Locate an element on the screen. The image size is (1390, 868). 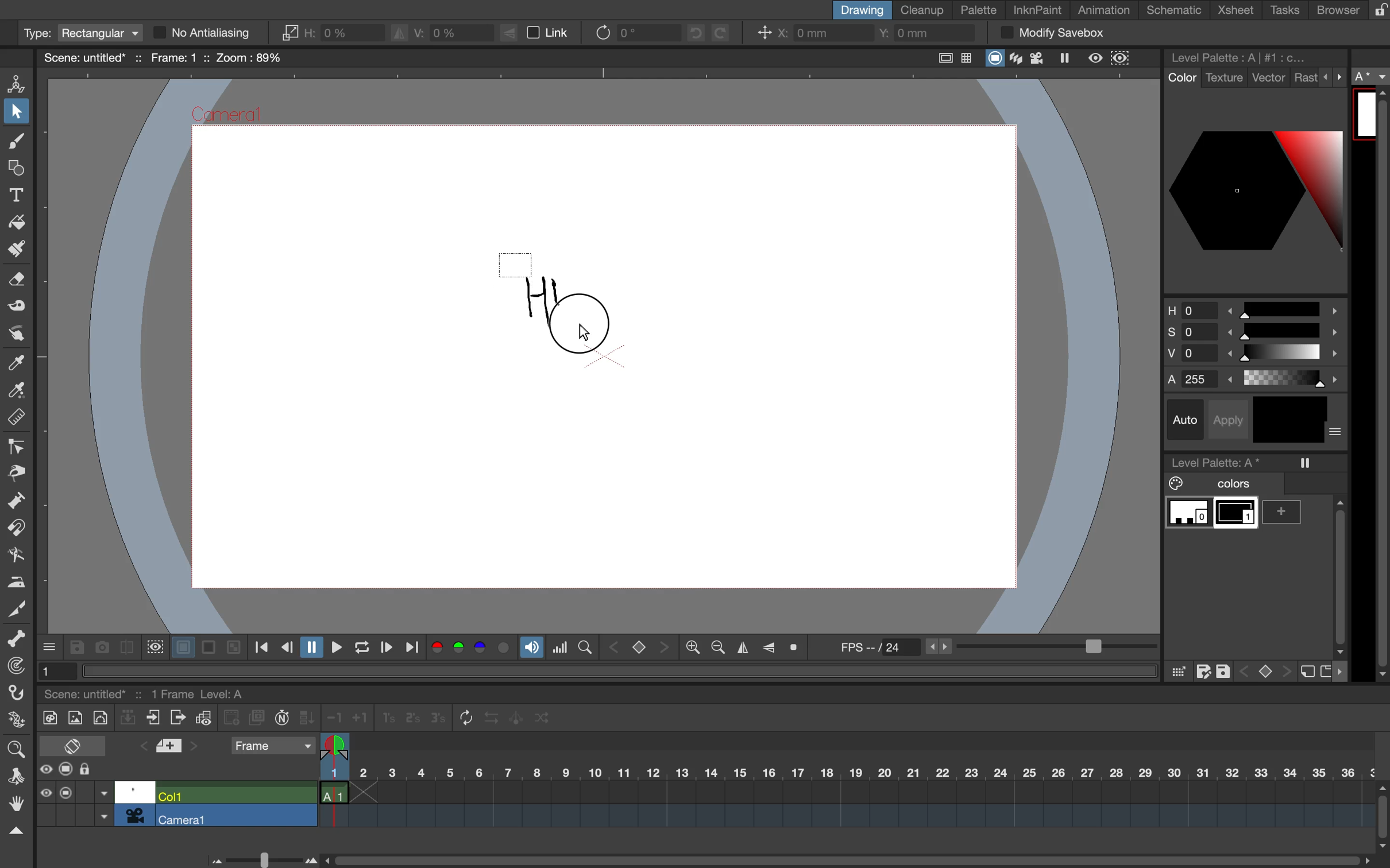
magnet tool is located at coordinates (15, 529).